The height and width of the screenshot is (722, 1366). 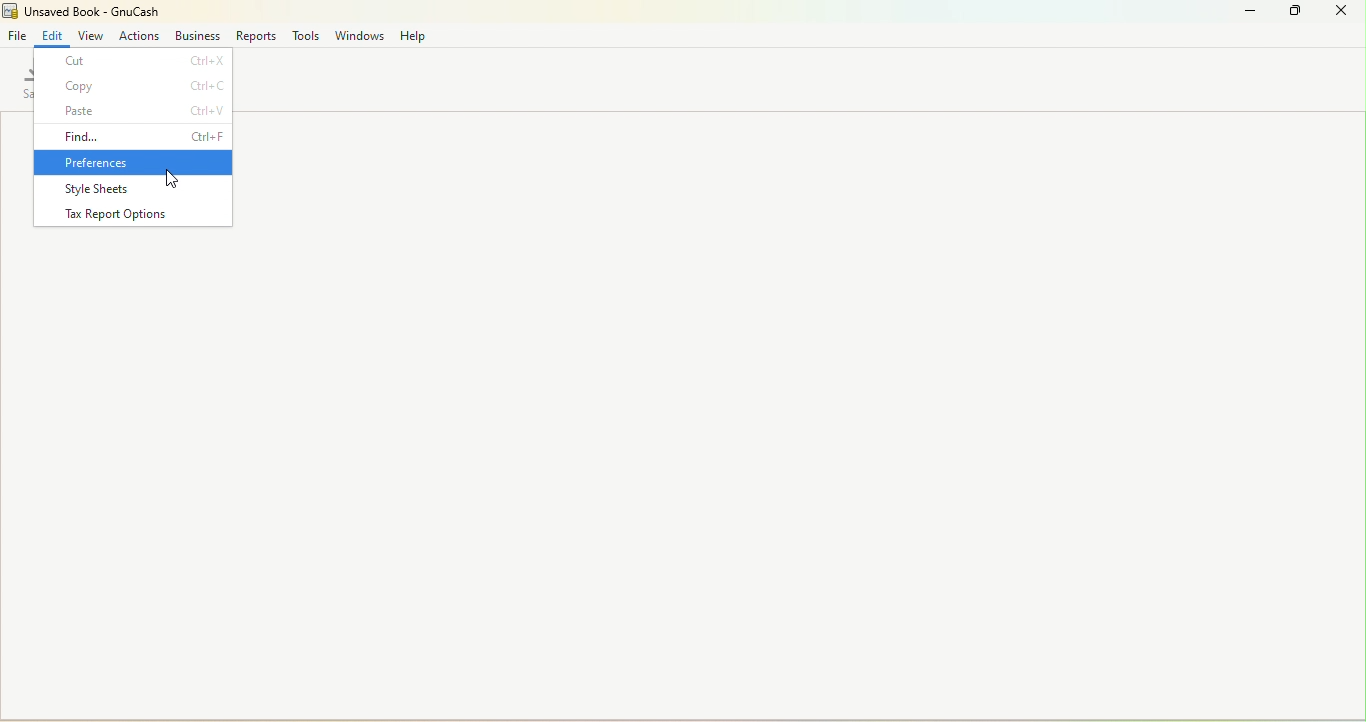 What do you see at coordinates (416, 33) in the screenshot?
I see `Help` at bounding box center [416, 33].